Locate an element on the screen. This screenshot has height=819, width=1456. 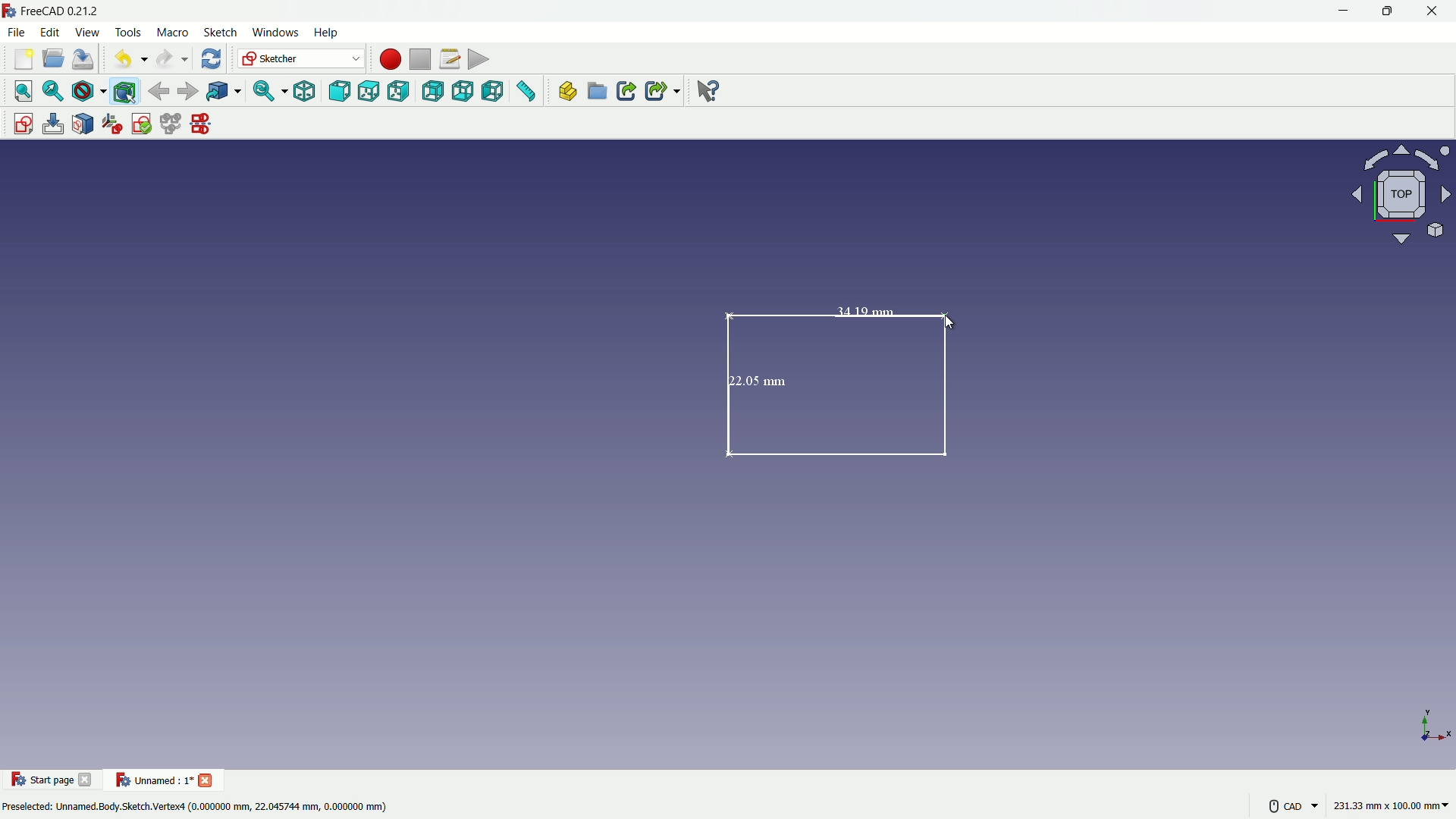
left view is located at coordinates (495, 93).